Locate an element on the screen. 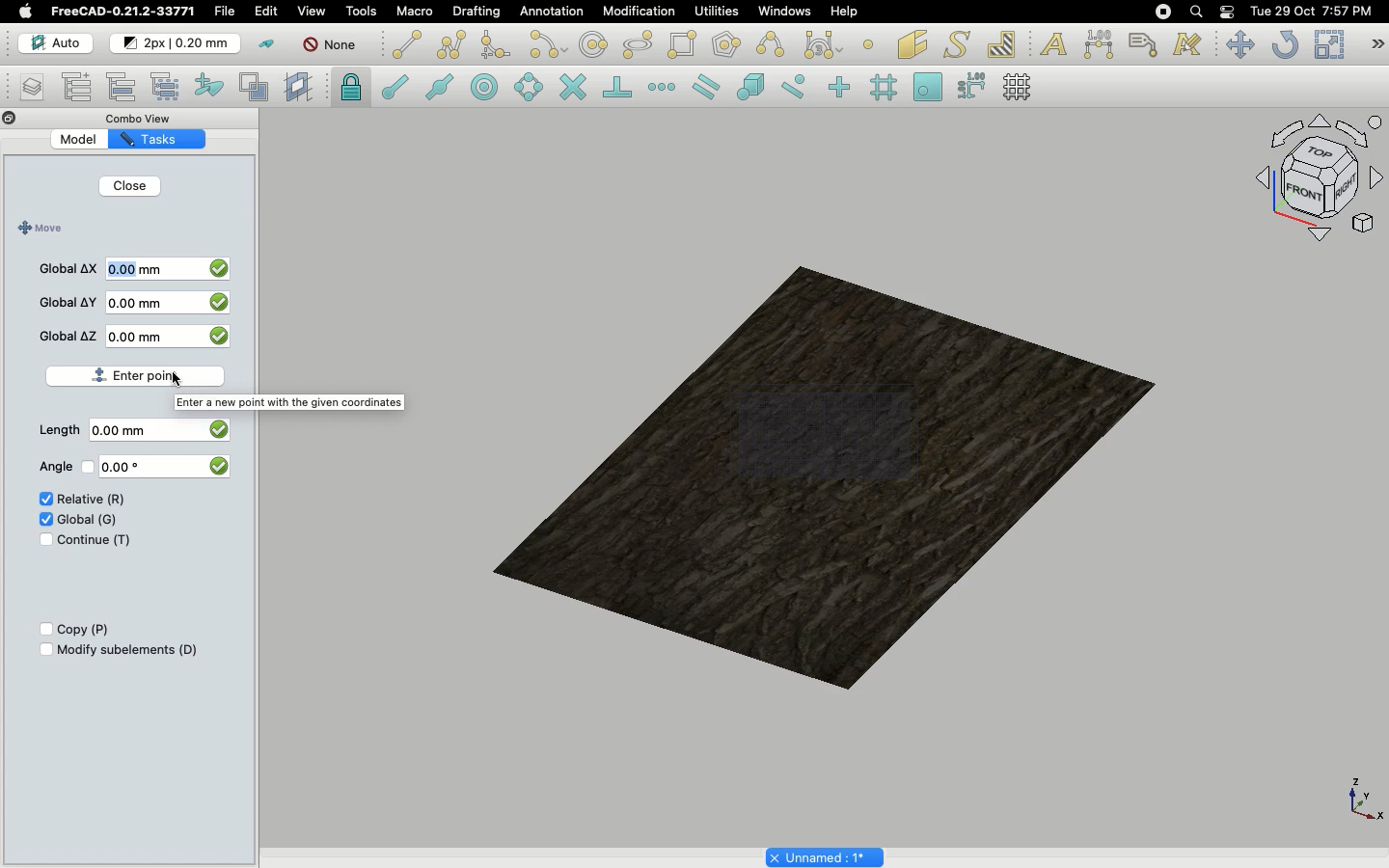 This screenshot has width=1389, height=868. Text is located at coordinates (1053, 45).